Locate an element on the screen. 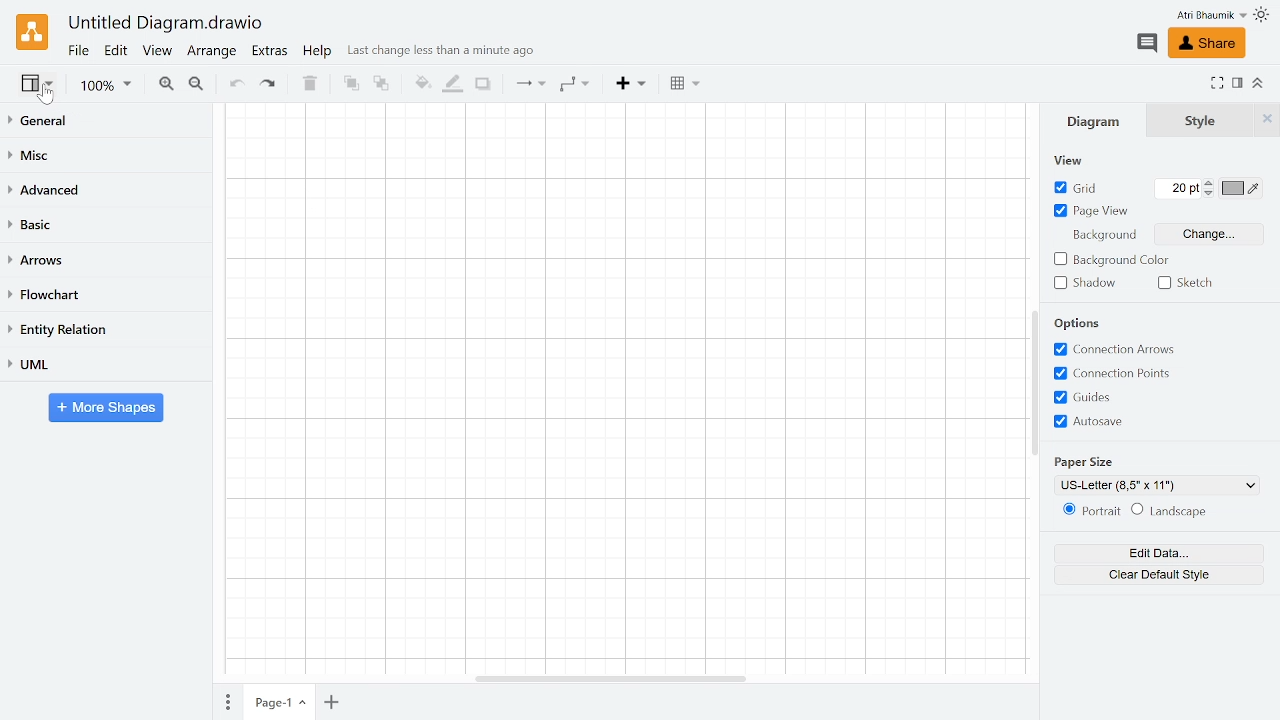 Image resolution: width=1280 pixels, height=720 pixels. Table is located at coordinates (682, 83).